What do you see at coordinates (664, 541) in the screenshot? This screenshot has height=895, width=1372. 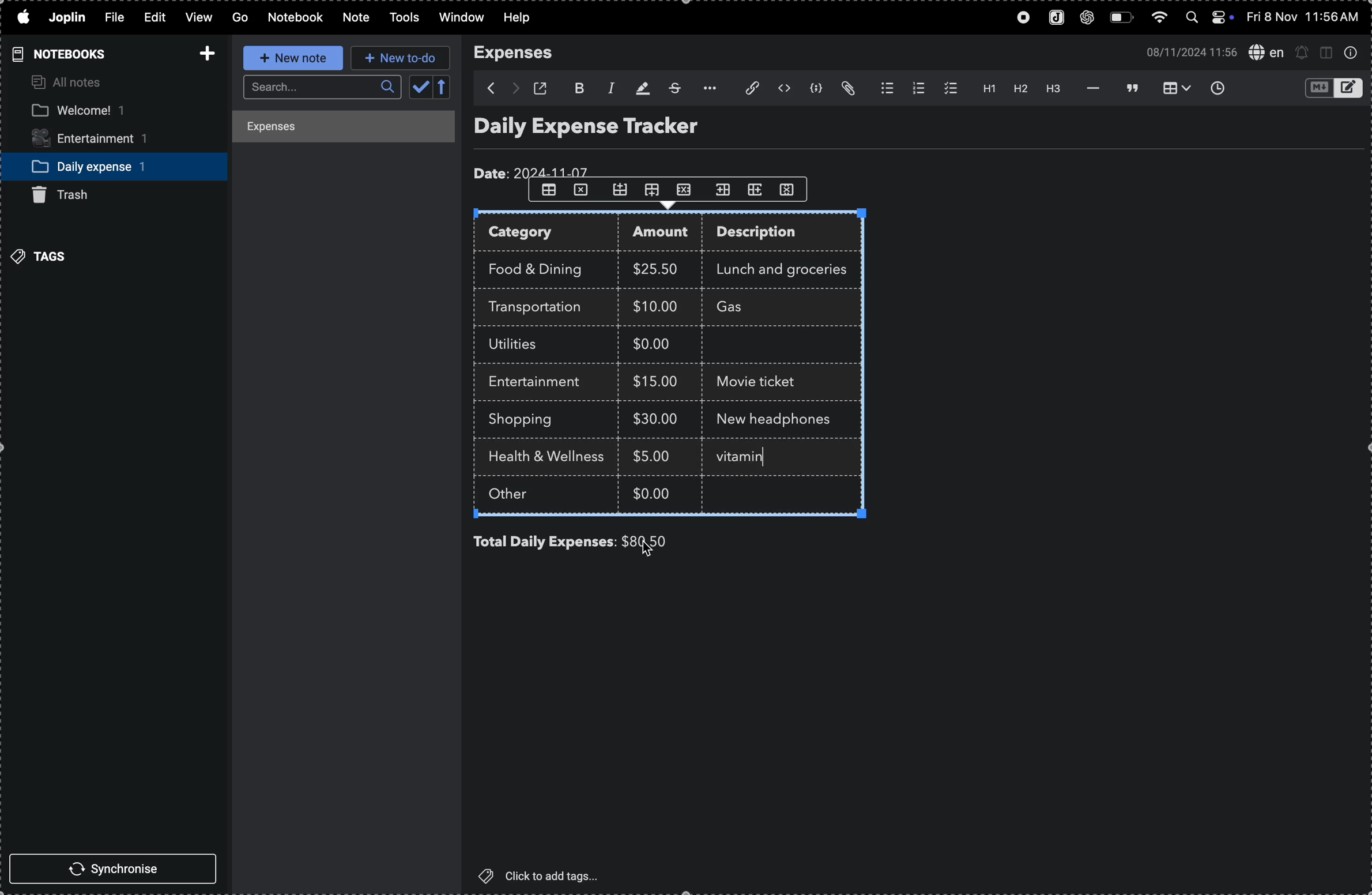 I see `$80.00` at bounding box center [664, 541].